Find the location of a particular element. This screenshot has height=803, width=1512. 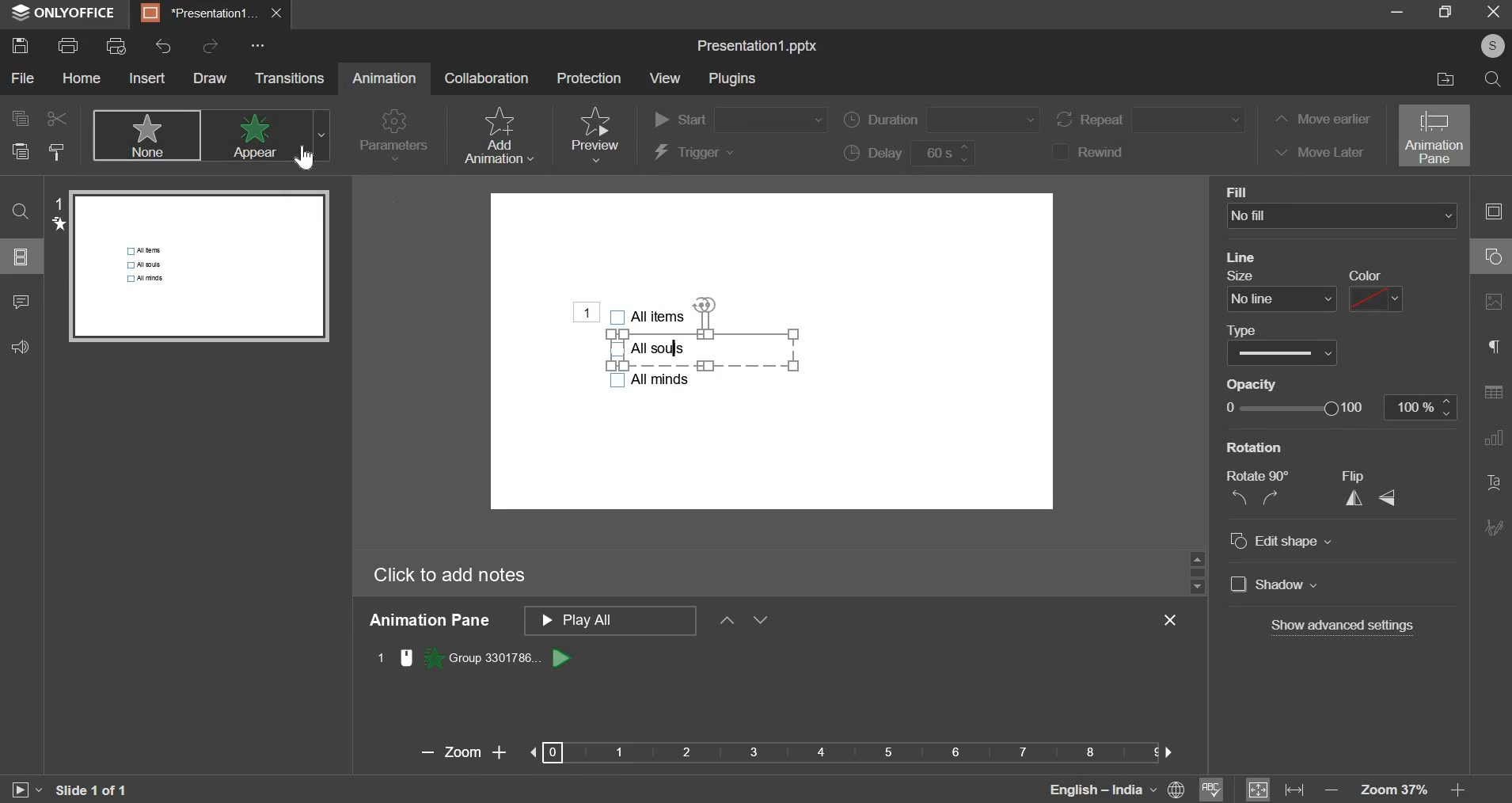

bullet points is located at coordinates (647, 344).